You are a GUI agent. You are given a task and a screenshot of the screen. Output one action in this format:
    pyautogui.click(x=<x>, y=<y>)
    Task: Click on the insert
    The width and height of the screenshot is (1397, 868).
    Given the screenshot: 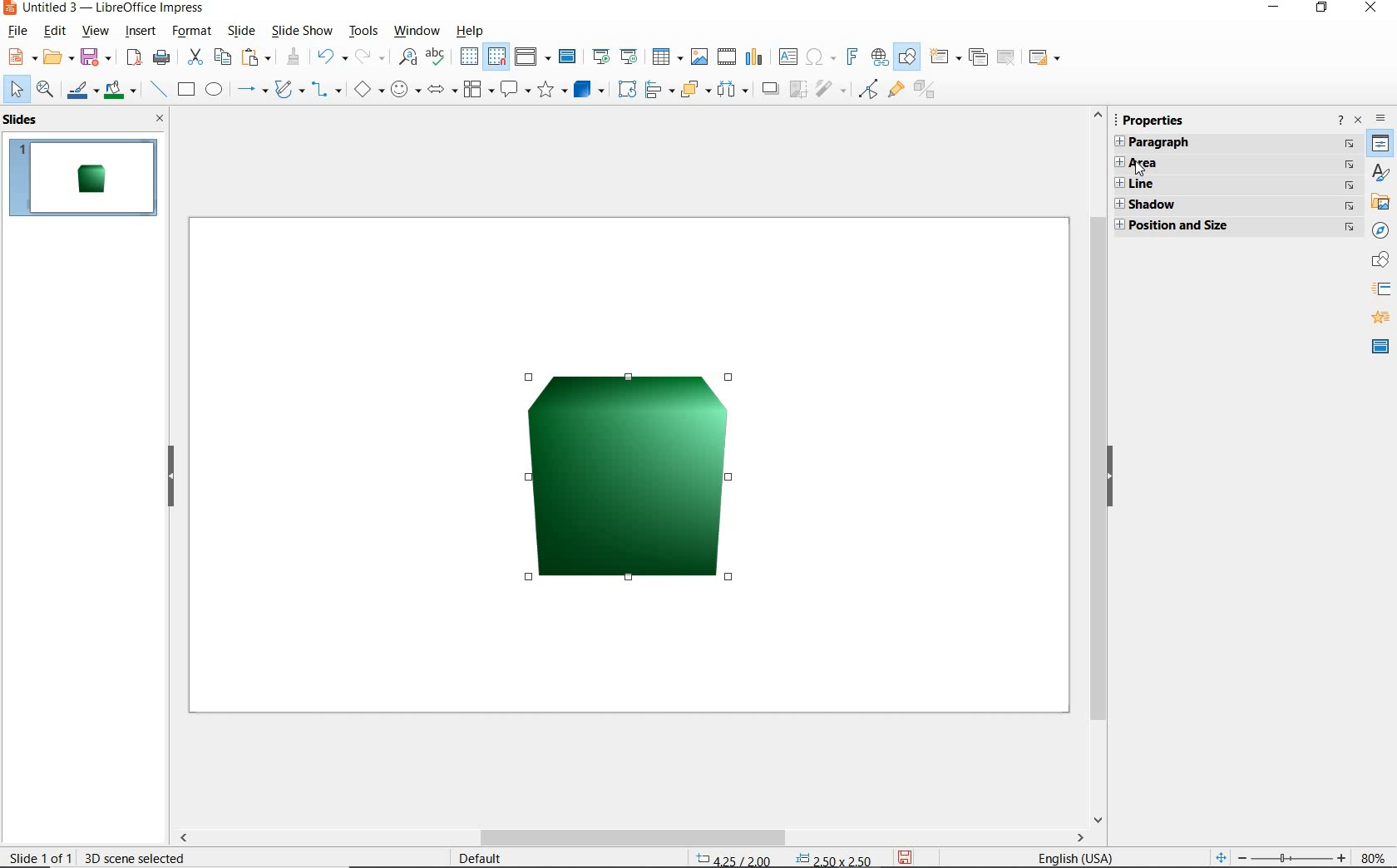 What is the action you would take?
    pyautogui.click(x=141, y=32)
    